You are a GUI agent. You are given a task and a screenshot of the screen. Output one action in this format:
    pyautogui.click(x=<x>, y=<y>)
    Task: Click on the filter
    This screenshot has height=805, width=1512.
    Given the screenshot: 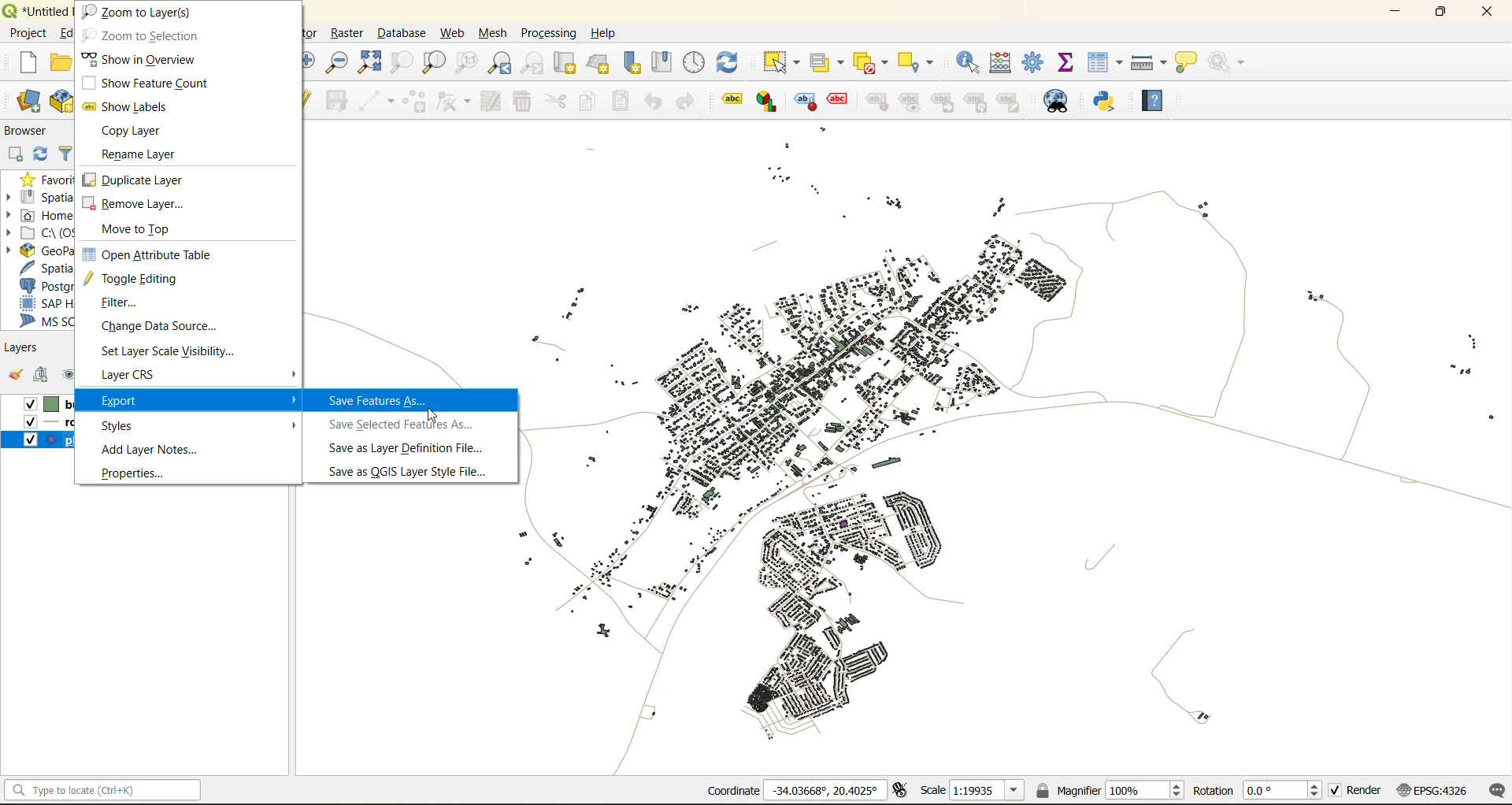 What is the action you would take?
    pyautogui.click(x=132, y=303)
    